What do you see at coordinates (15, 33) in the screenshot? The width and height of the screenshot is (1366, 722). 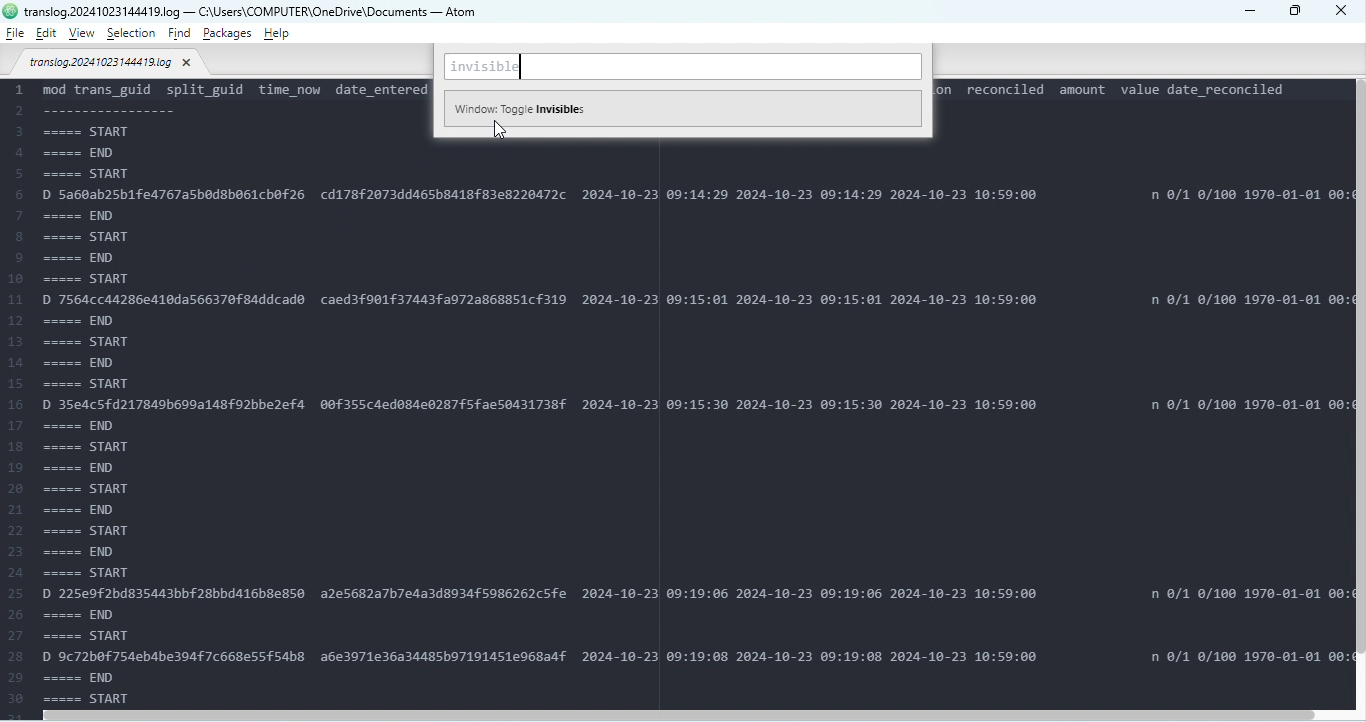 I see `File` at bounding box center [15, 33].